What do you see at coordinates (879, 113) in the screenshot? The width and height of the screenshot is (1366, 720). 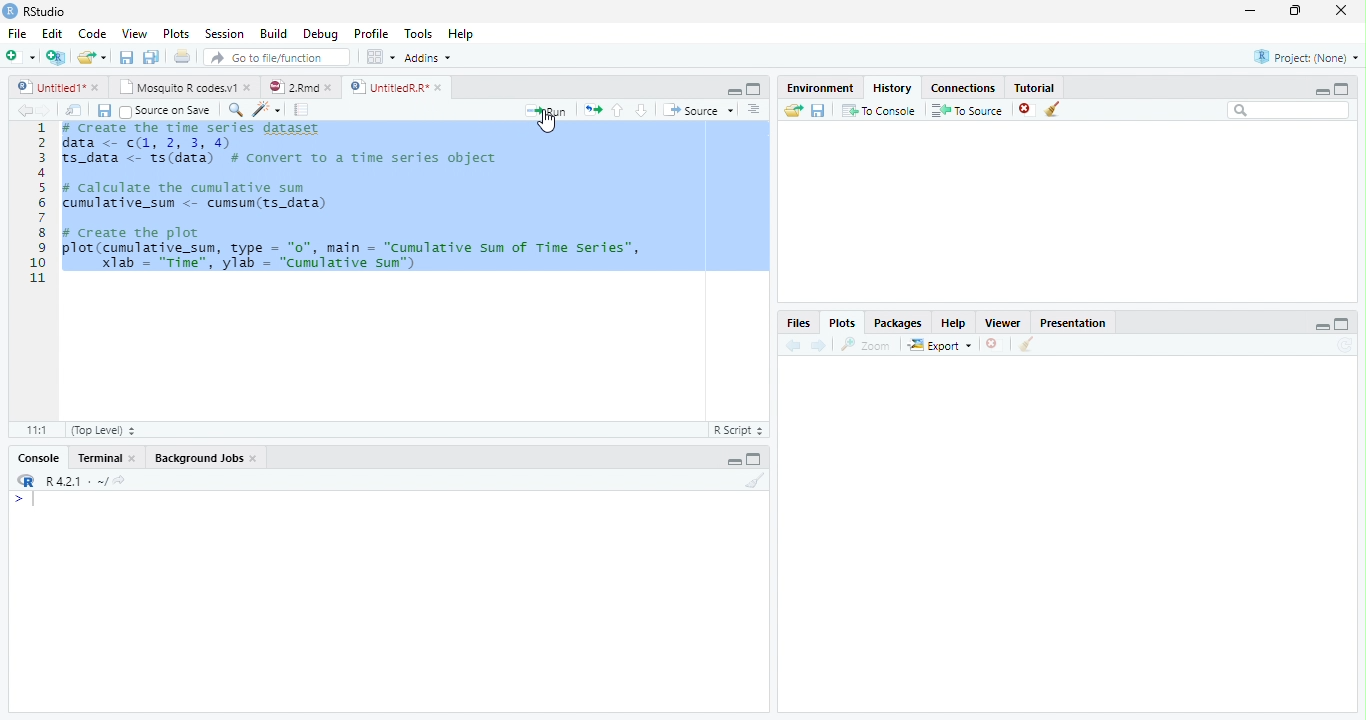 I see `To Console` at bounding box center [879, 113].